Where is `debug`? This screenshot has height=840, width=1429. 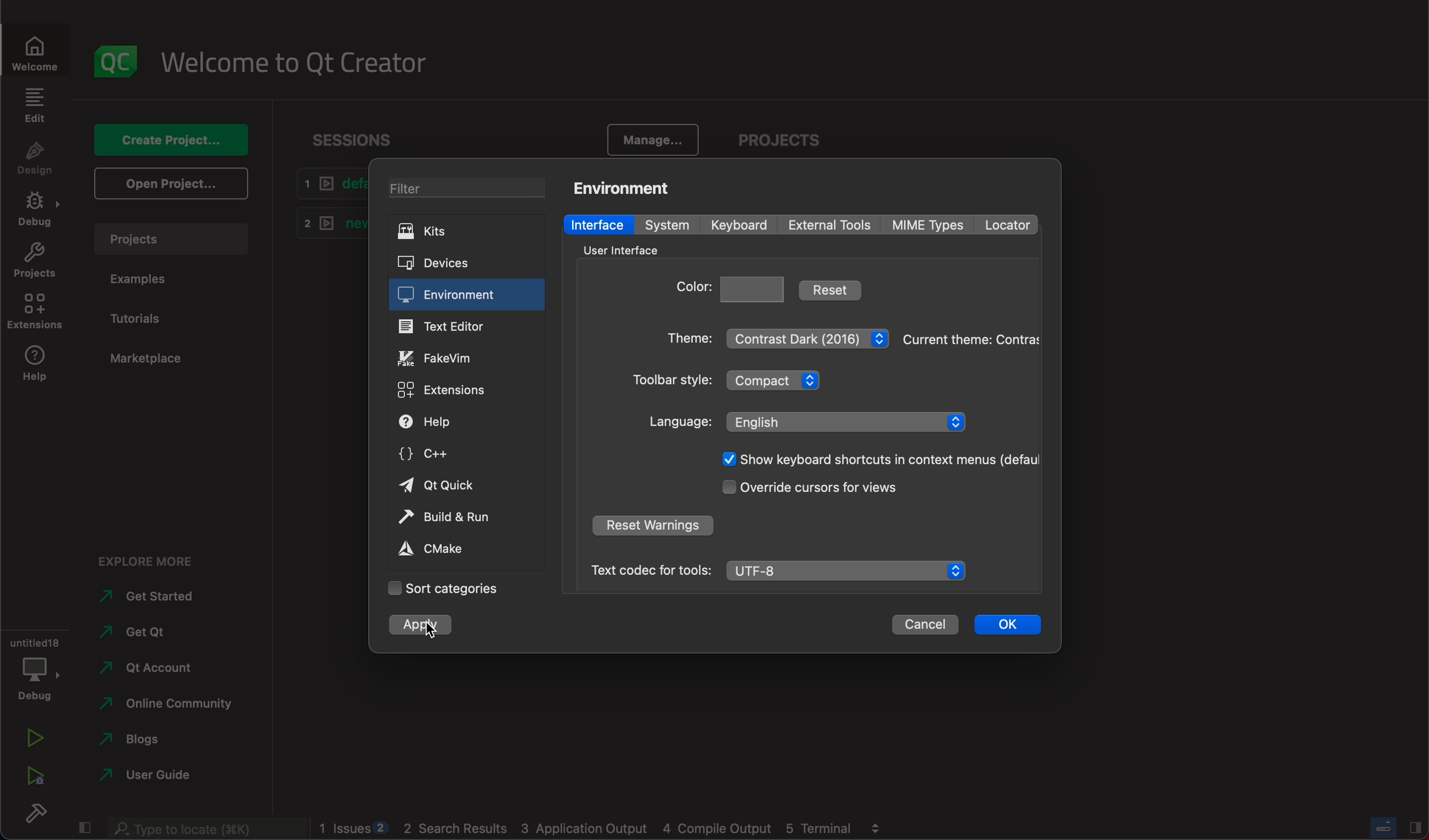
debug is located at coordinates (33, 210).